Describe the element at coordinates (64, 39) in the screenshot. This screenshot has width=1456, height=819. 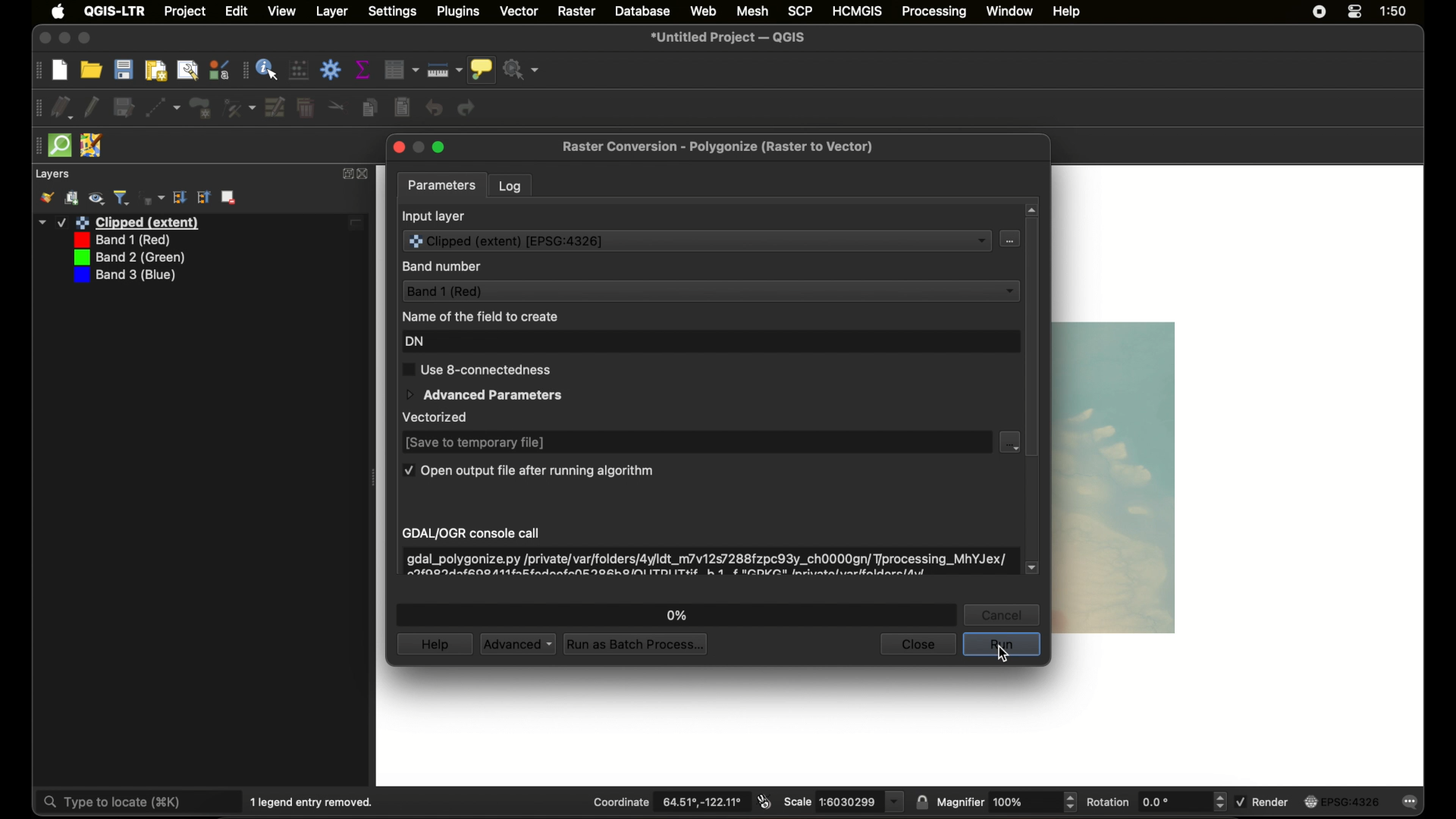
I see `minimize` at that location.